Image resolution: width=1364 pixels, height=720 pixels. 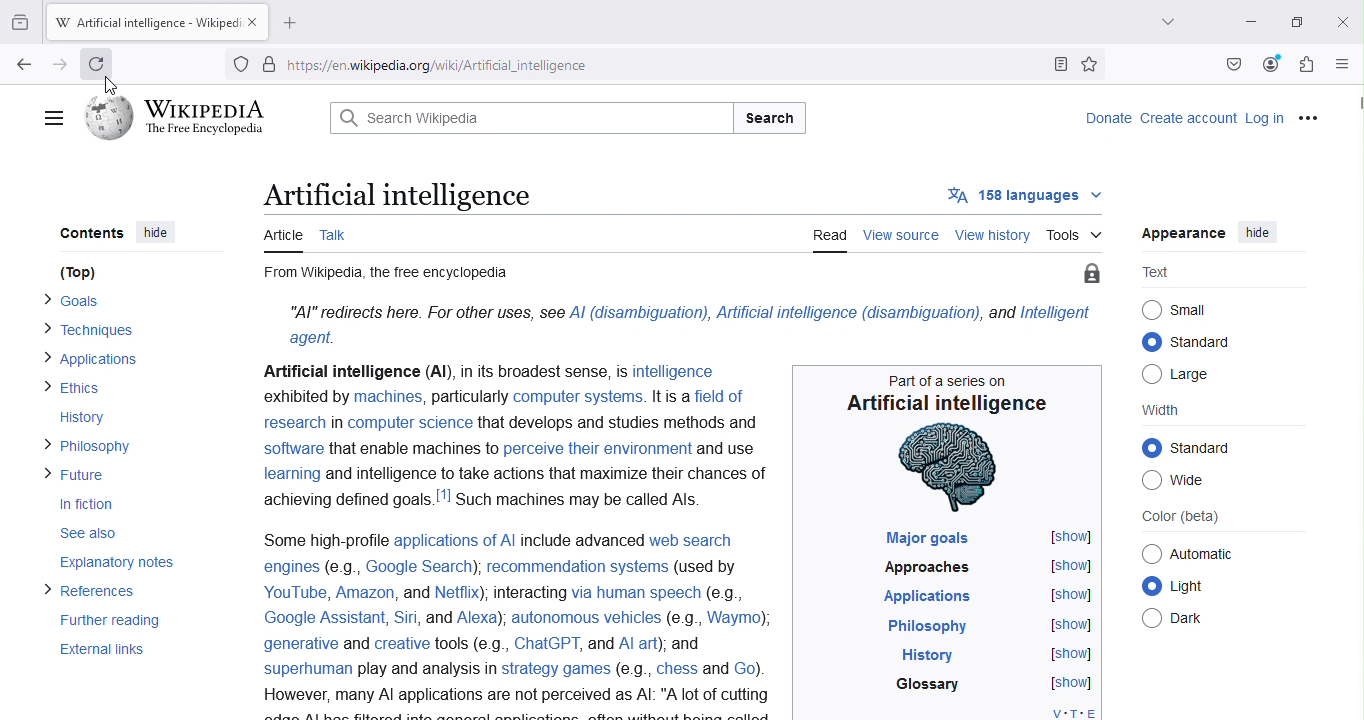 What do you see at coordinates (154, 235) in the screenshot?
I see `hide` at bounding box center [154, 235].